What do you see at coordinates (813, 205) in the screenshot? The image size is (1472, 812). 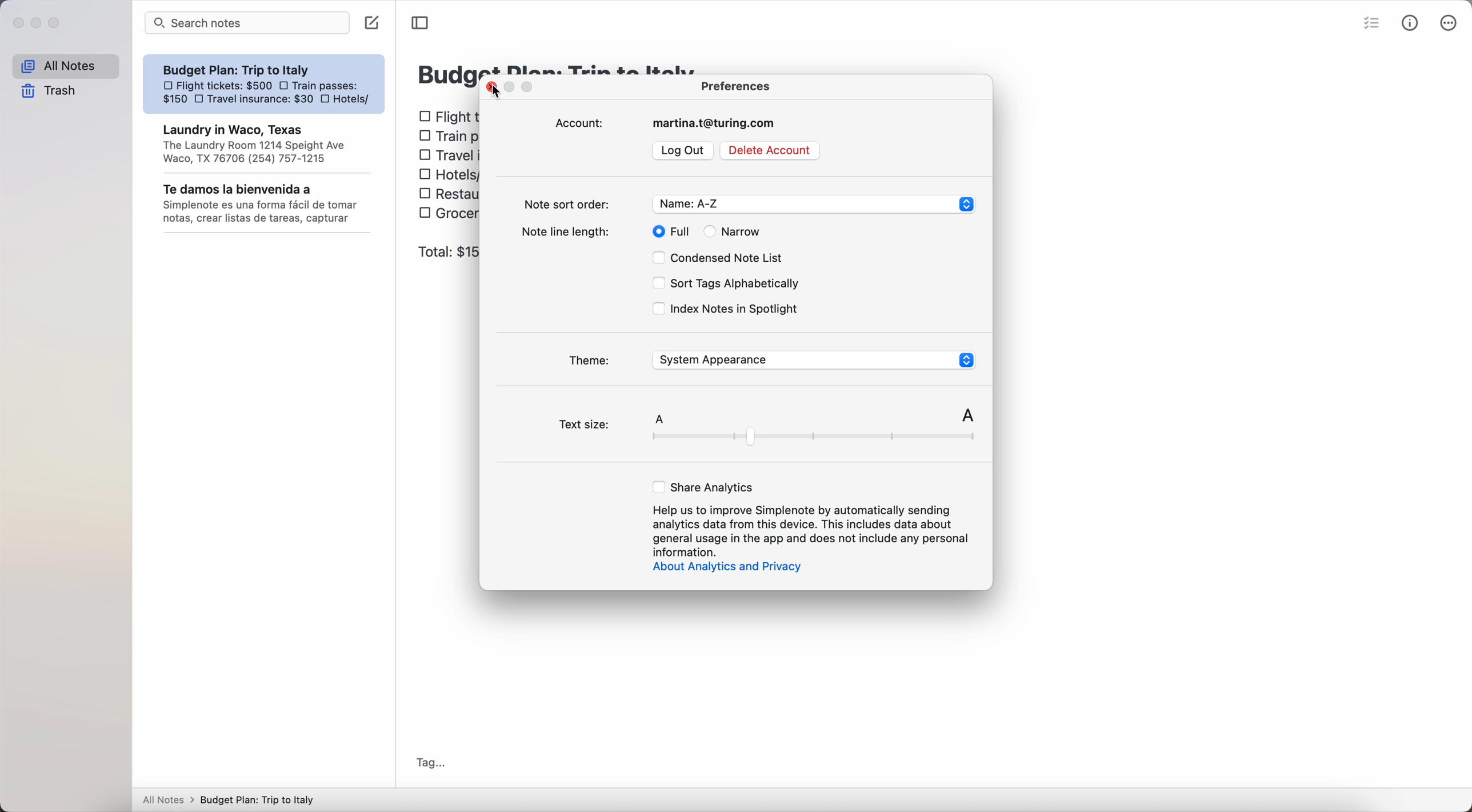 I see `name: A-Z` at bounding box center [813, 205].